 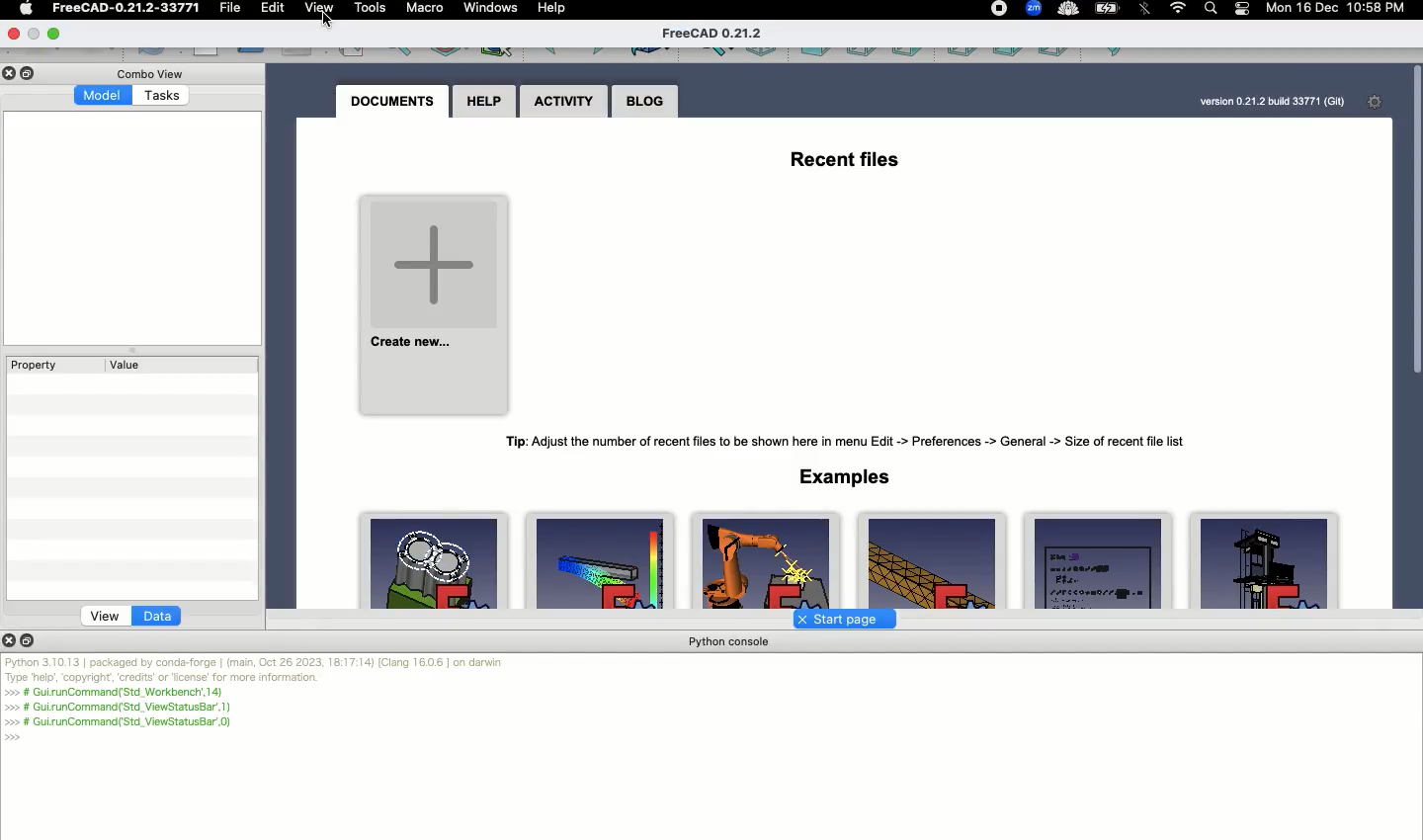 What do you see at coordinates (730, 642) in the screenshot?
I see `Python console` at bounding box center [730, 642].